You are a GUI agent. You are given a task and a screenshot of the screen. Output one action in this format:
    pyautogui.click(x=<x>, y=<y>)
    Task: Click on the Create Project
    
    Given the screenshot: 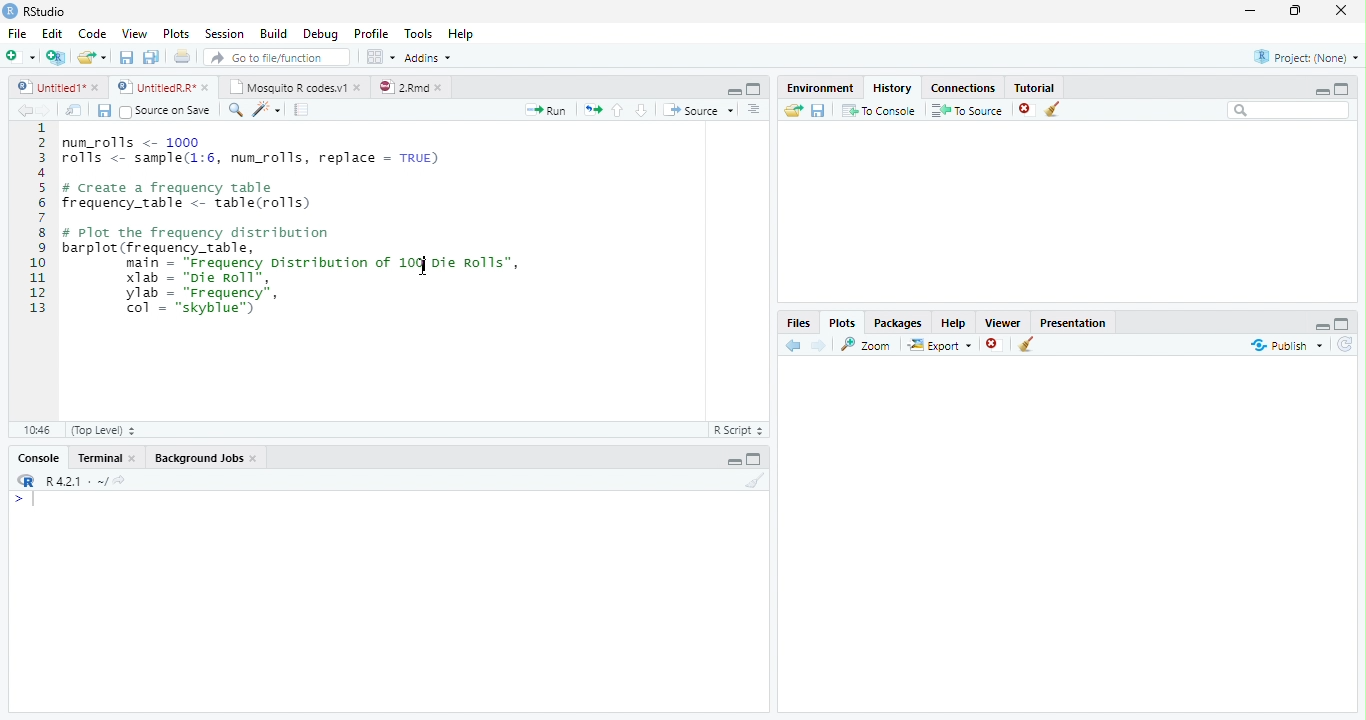 What is the action you would take?
    pyautogui.click(x=56, y=58)
    